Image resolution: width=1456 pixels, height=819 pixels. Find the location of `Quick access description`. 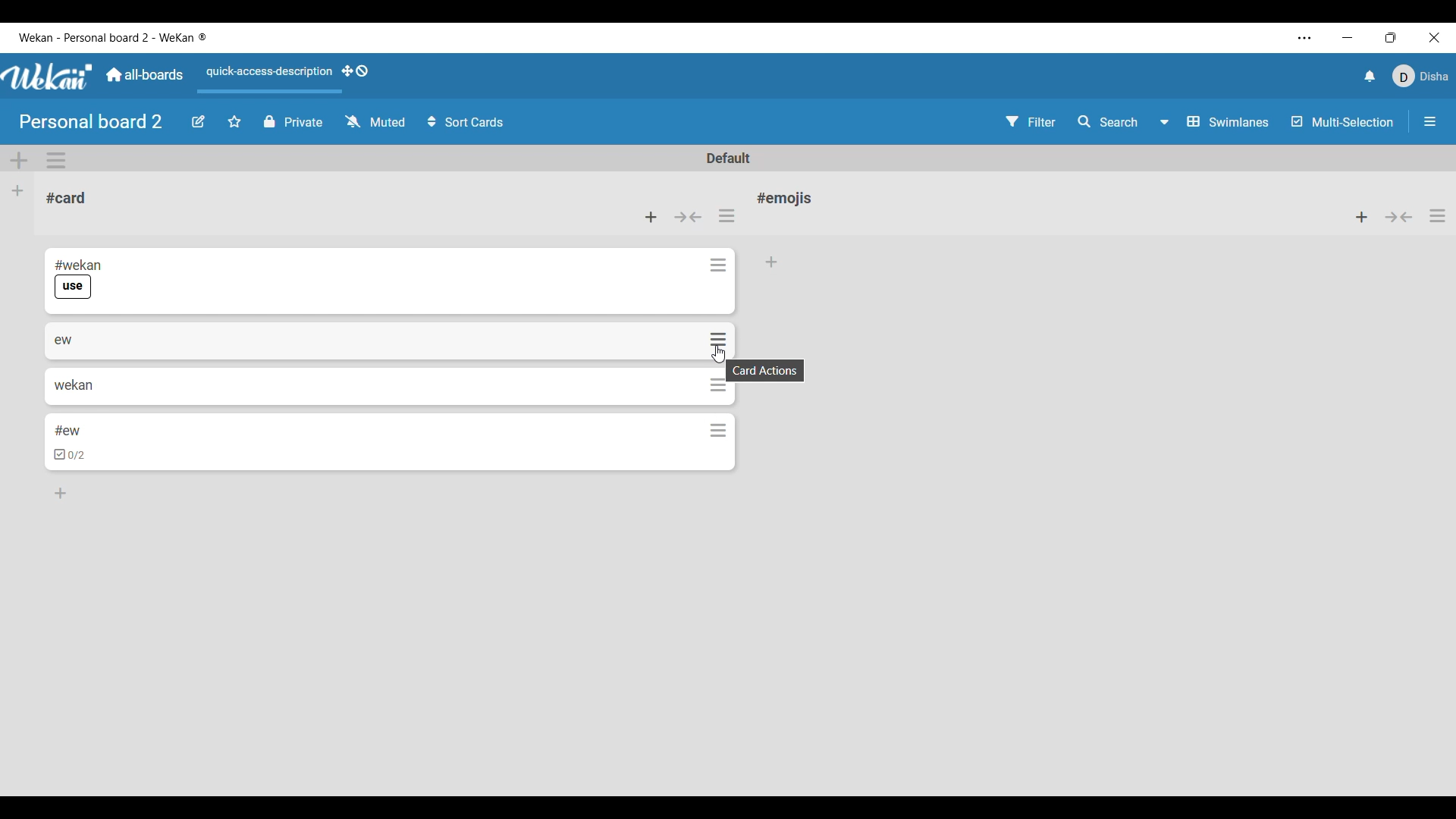

Quick access description is located at coordinates (267, 72).